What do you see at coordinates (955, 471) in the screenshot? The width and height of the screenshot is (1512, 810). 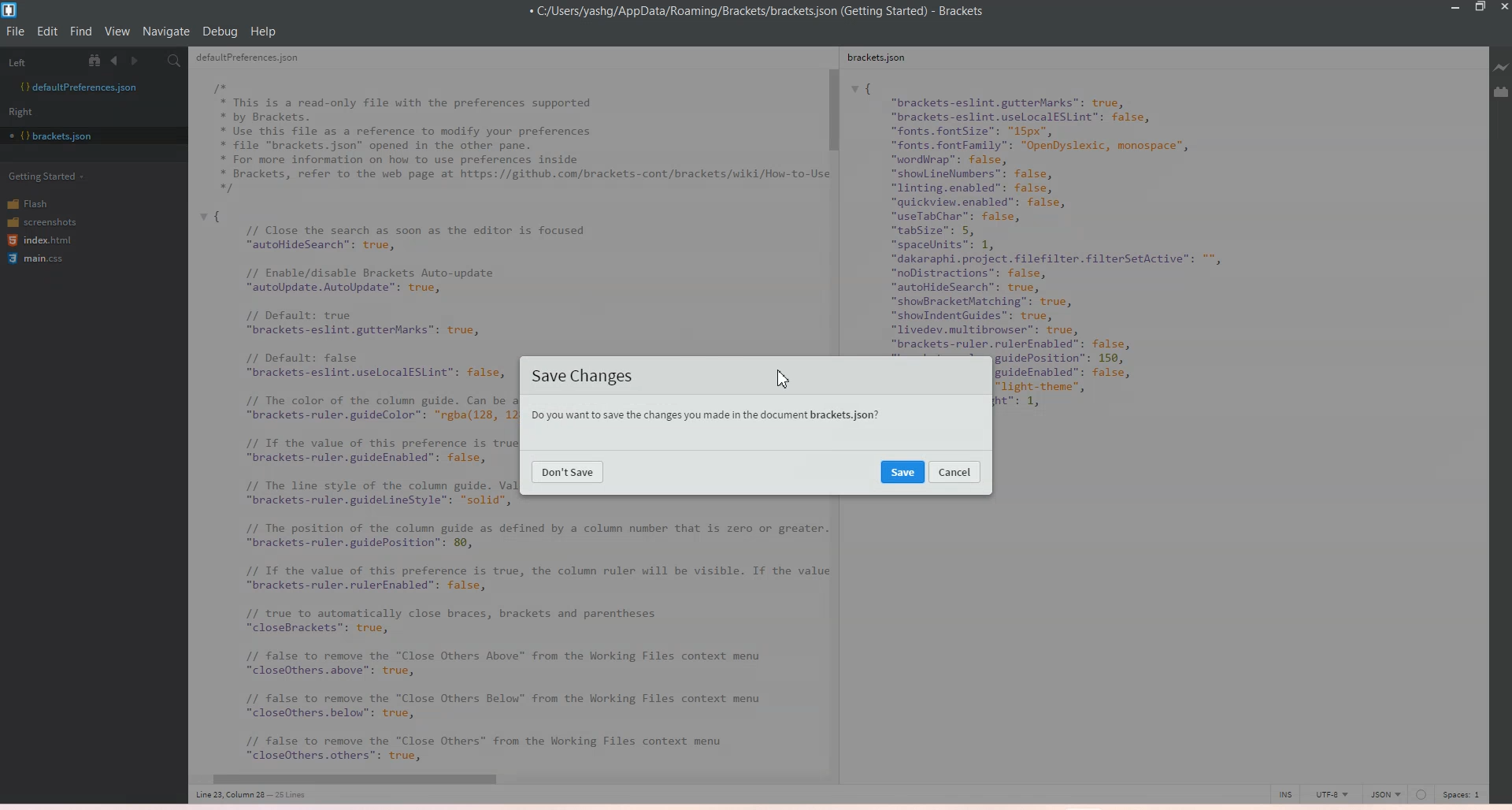 I see `Cancel` at bounding box center [955, 471].